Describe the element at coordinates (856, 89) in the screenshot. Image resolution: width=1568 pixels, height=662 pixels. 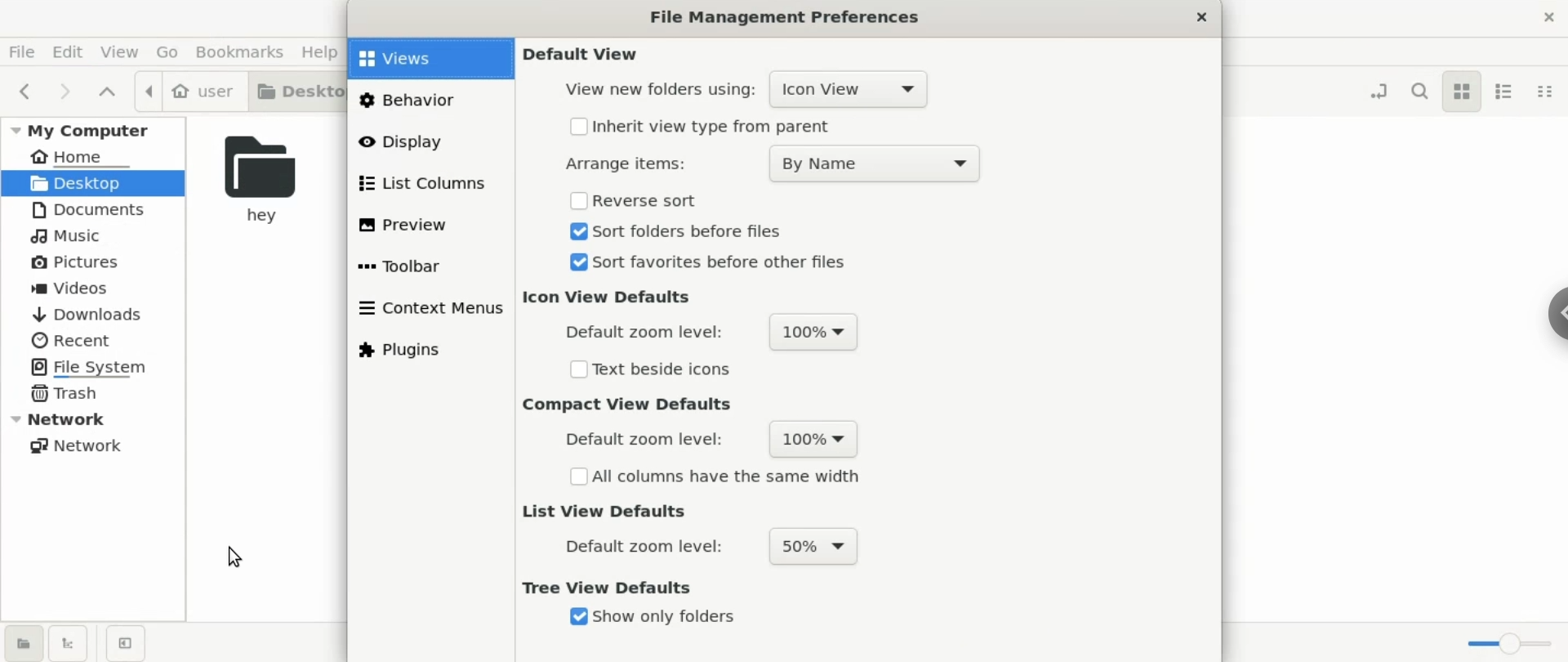
I see `icon view` at that location.